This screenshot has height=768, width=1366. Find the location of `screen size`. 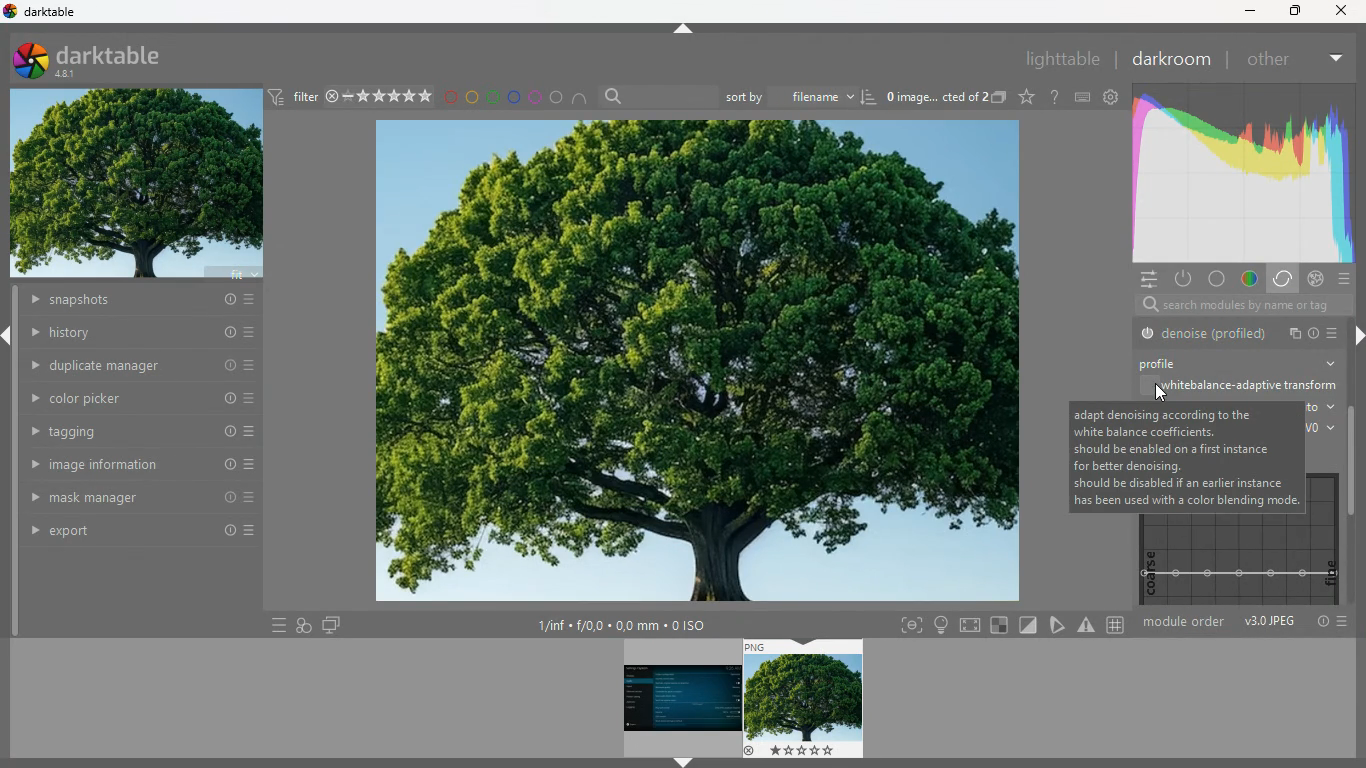

screen size is located at coordinates (971, 624).